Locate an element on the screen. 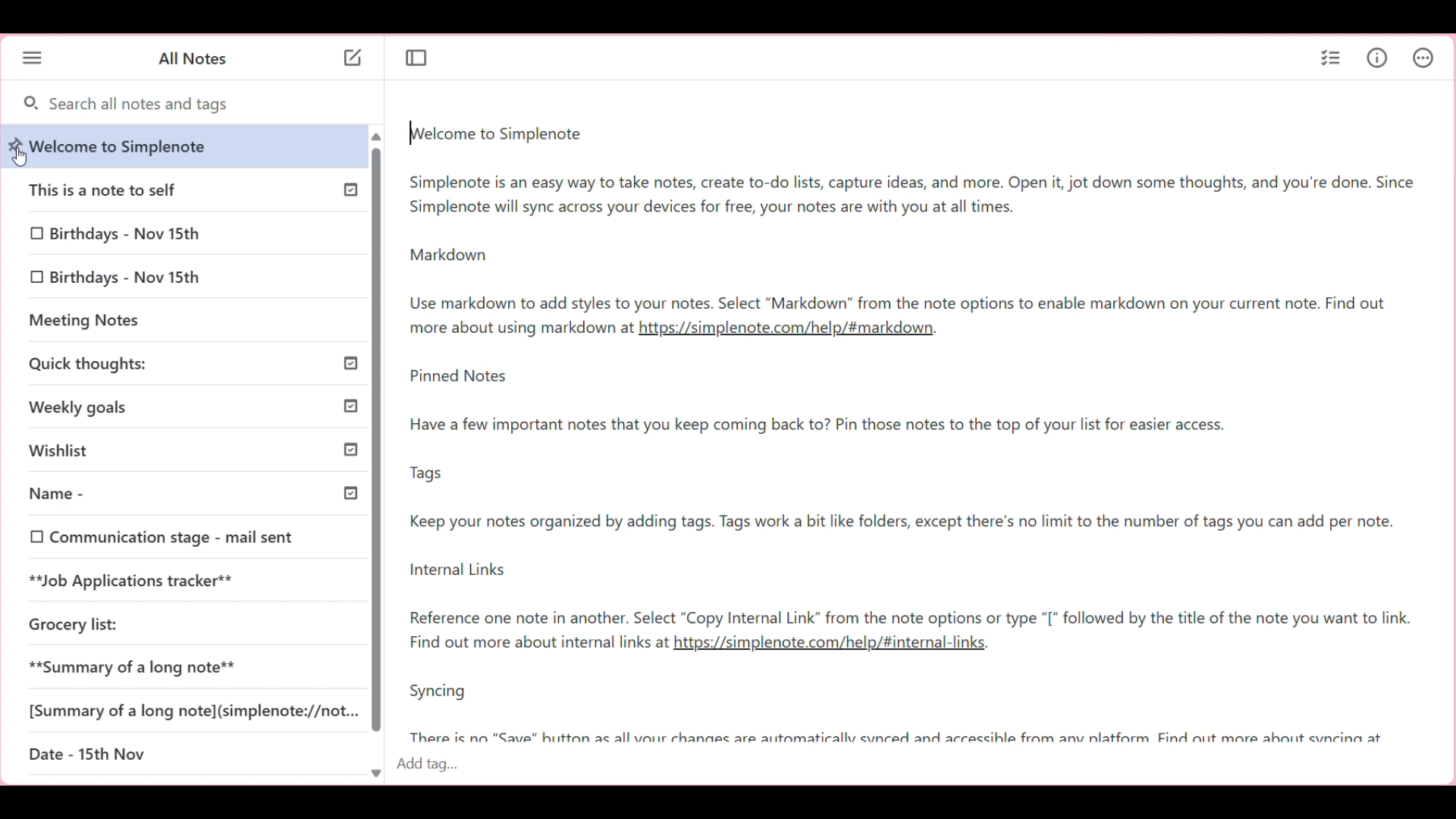 Image resolution: width=1456 pixels, height=819 pixels. link1 is located at coordinates (788, 328).